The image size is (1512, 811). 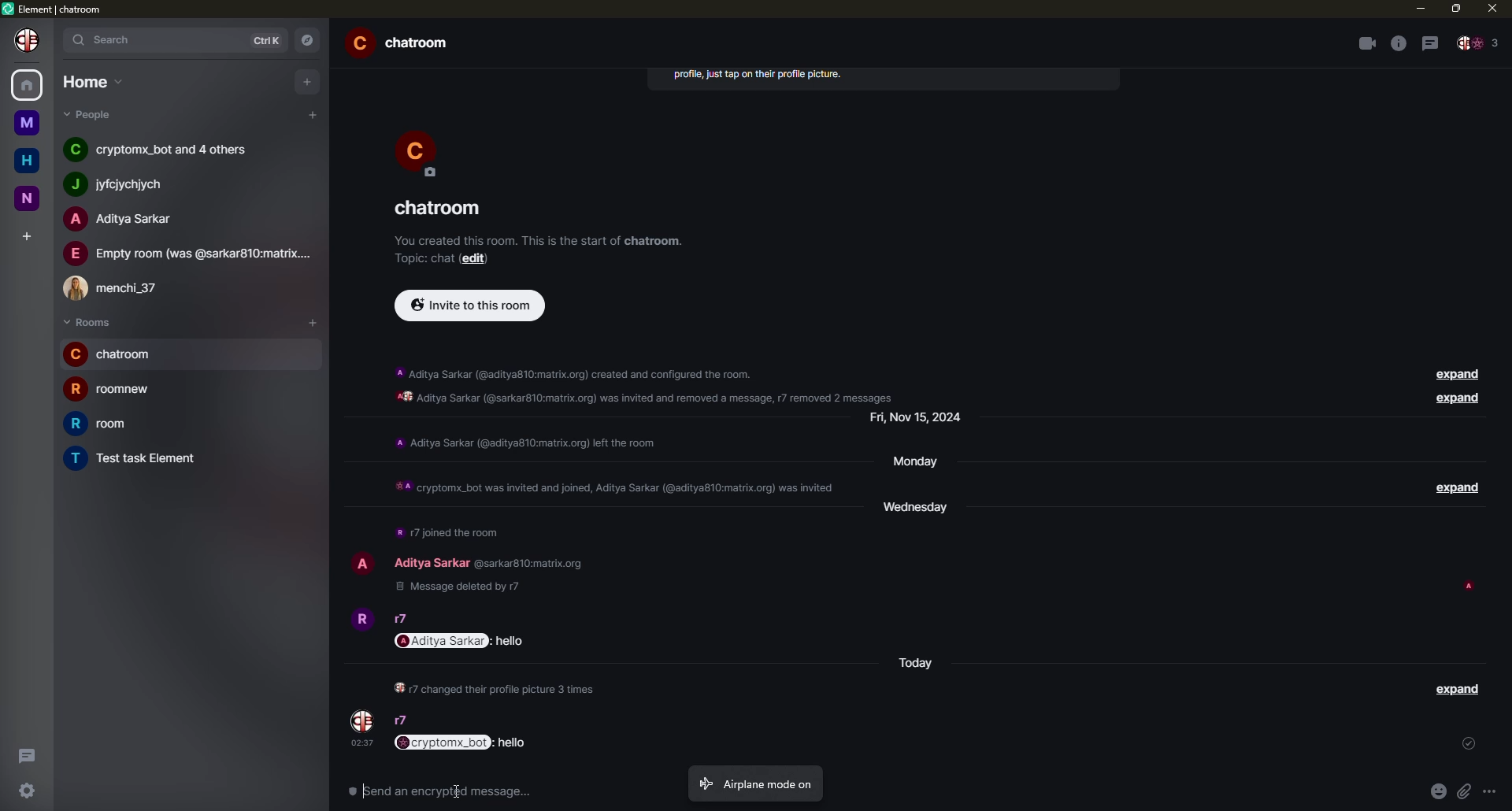 I want to click on add, so click(x=306, y=82).